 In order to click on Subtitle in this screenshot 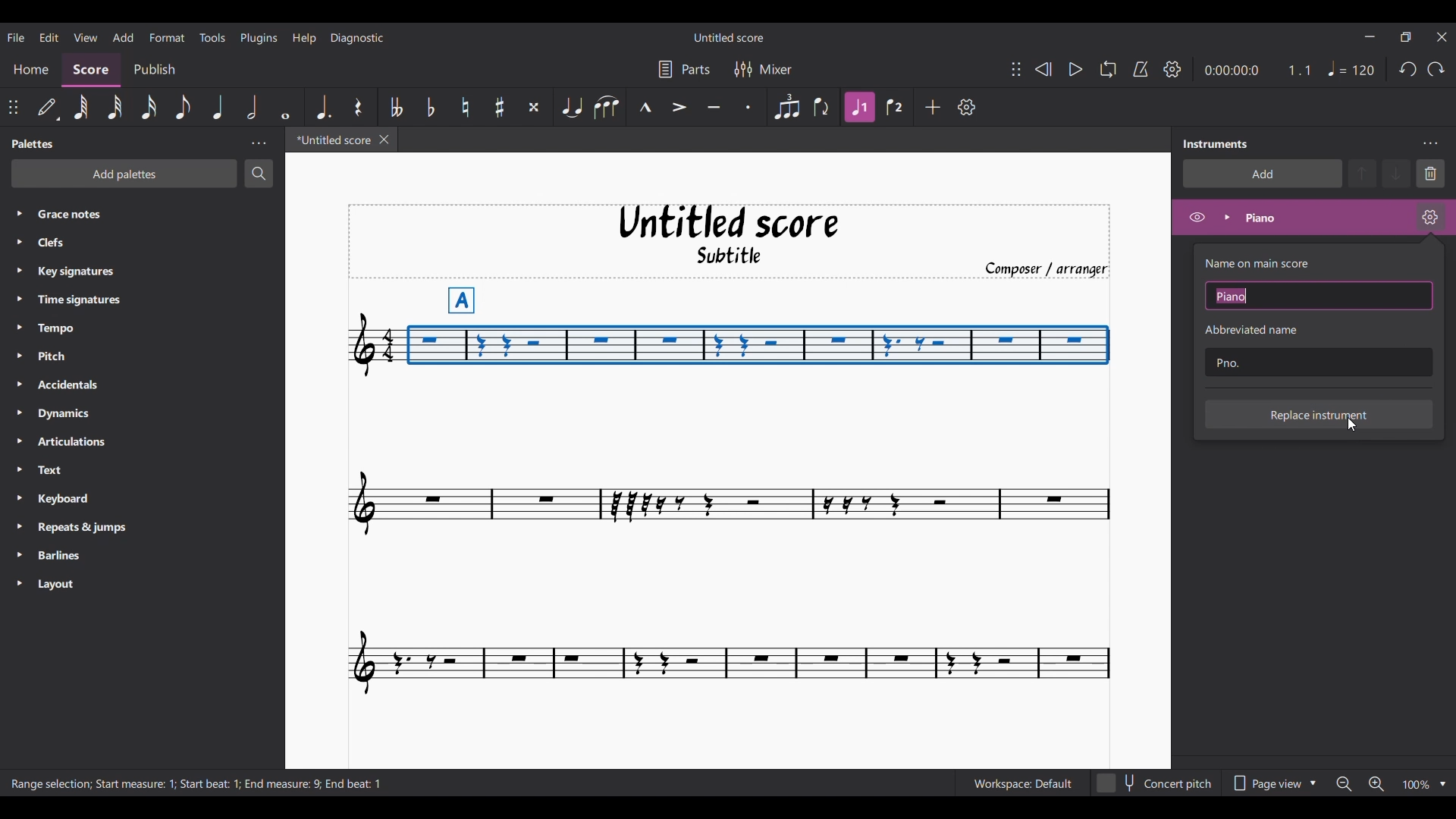, I will do `click(745, 255)`.